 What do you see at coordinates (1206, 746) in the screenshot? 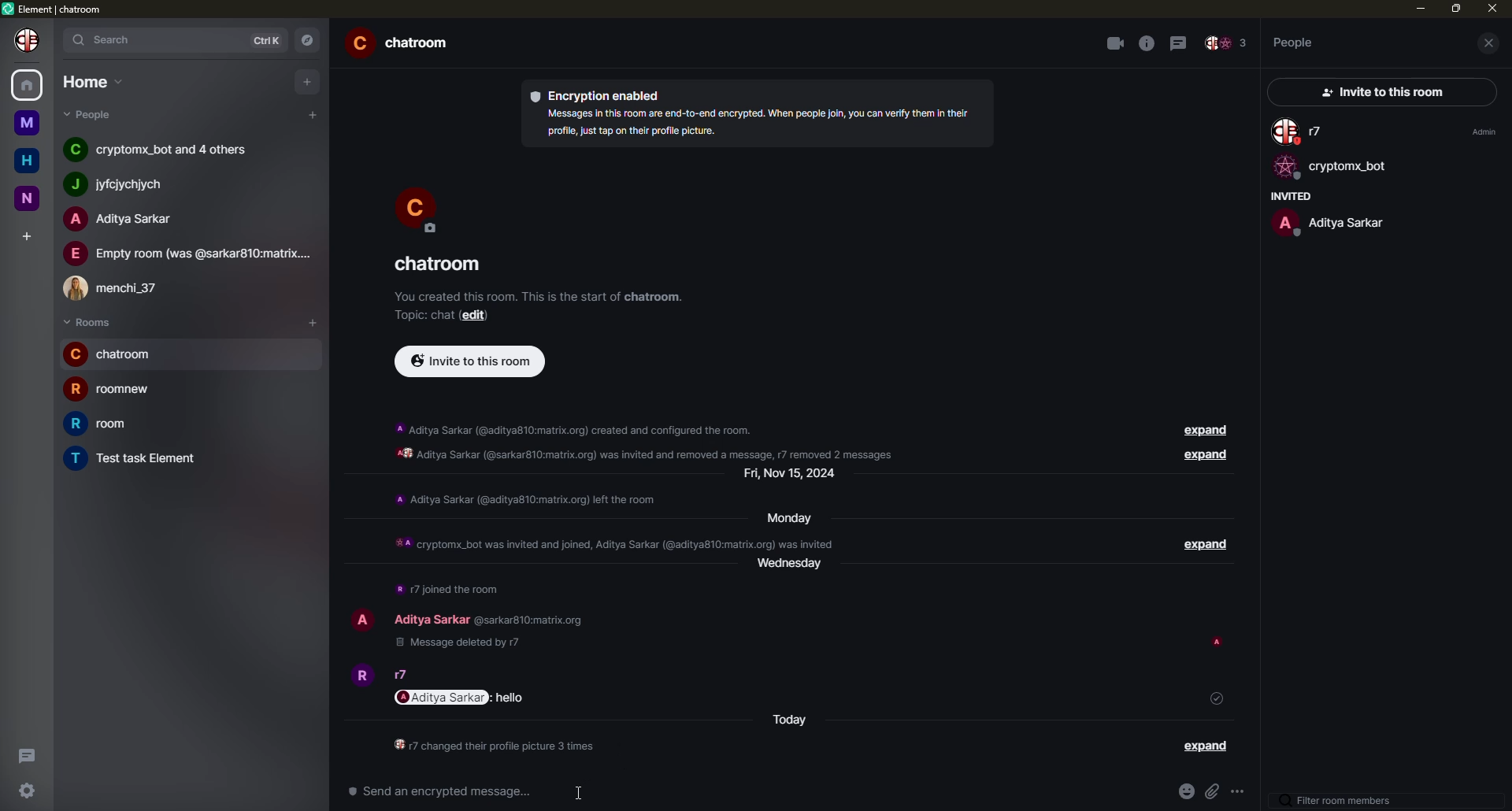
I see `expand` at bounding box center [1206, 746].